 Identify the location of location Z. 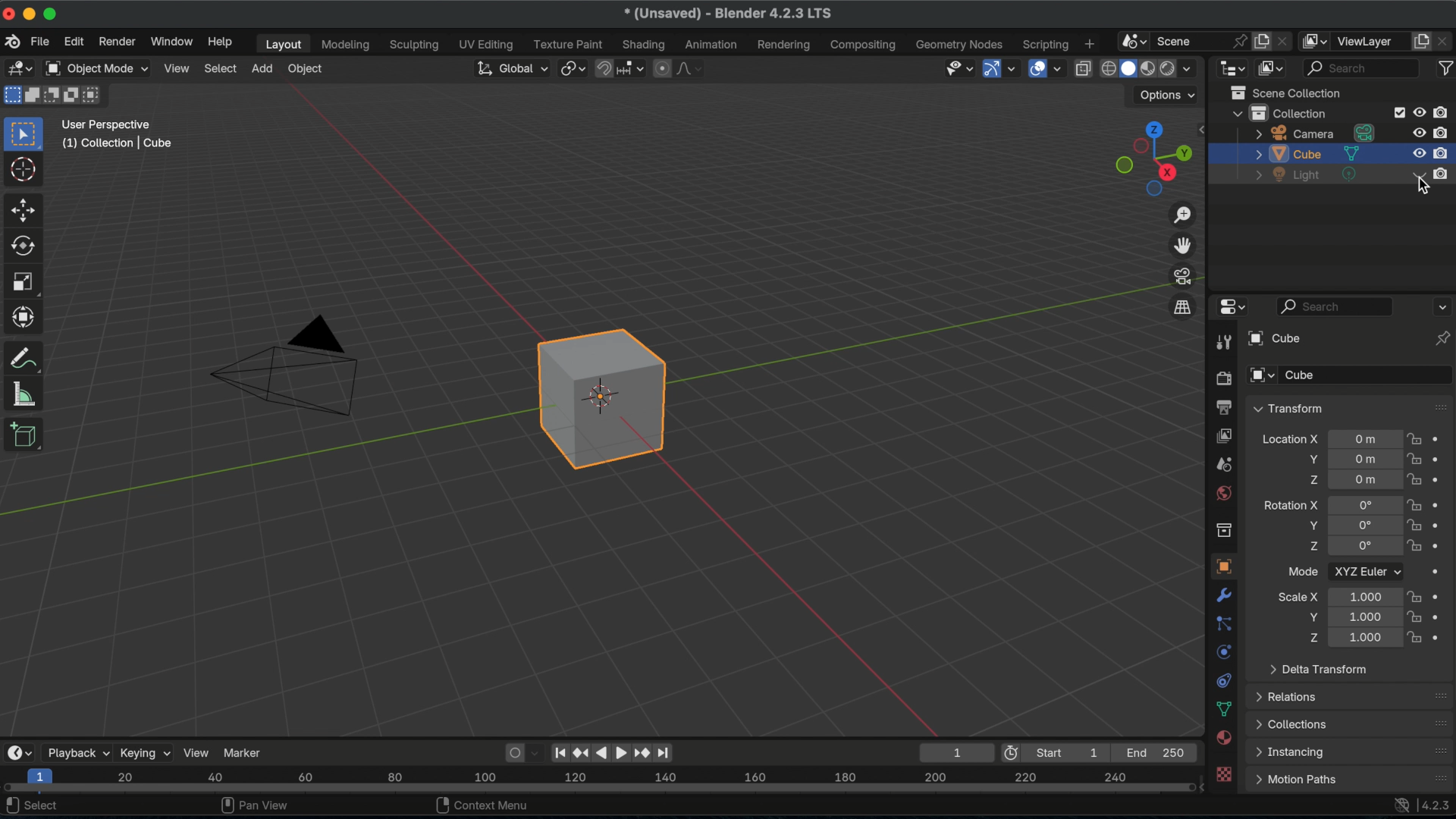
(1307, 480).